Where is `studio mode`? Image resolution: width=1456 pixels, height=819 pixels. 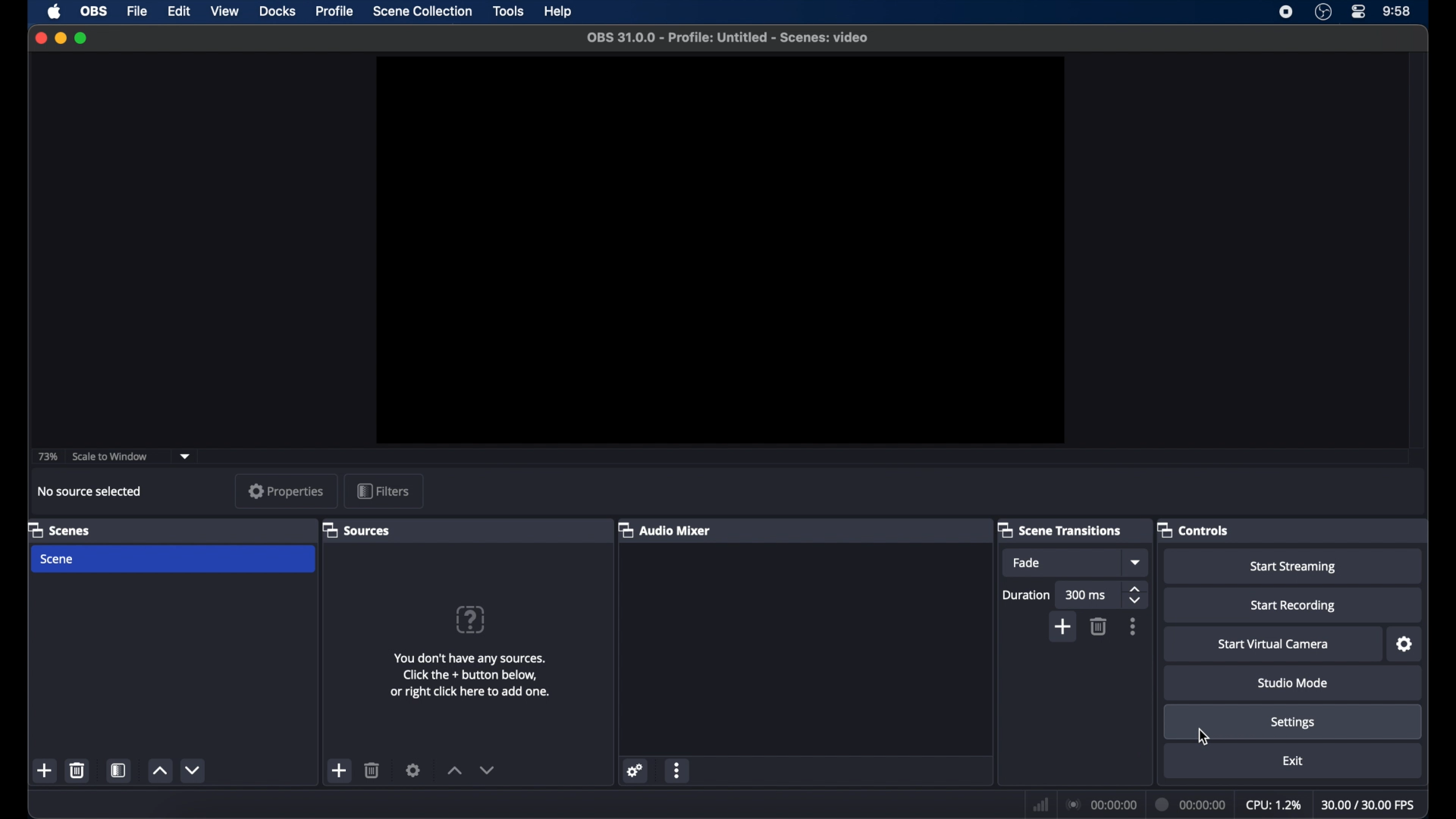
studio mode is located at coordinates (1292, 683).